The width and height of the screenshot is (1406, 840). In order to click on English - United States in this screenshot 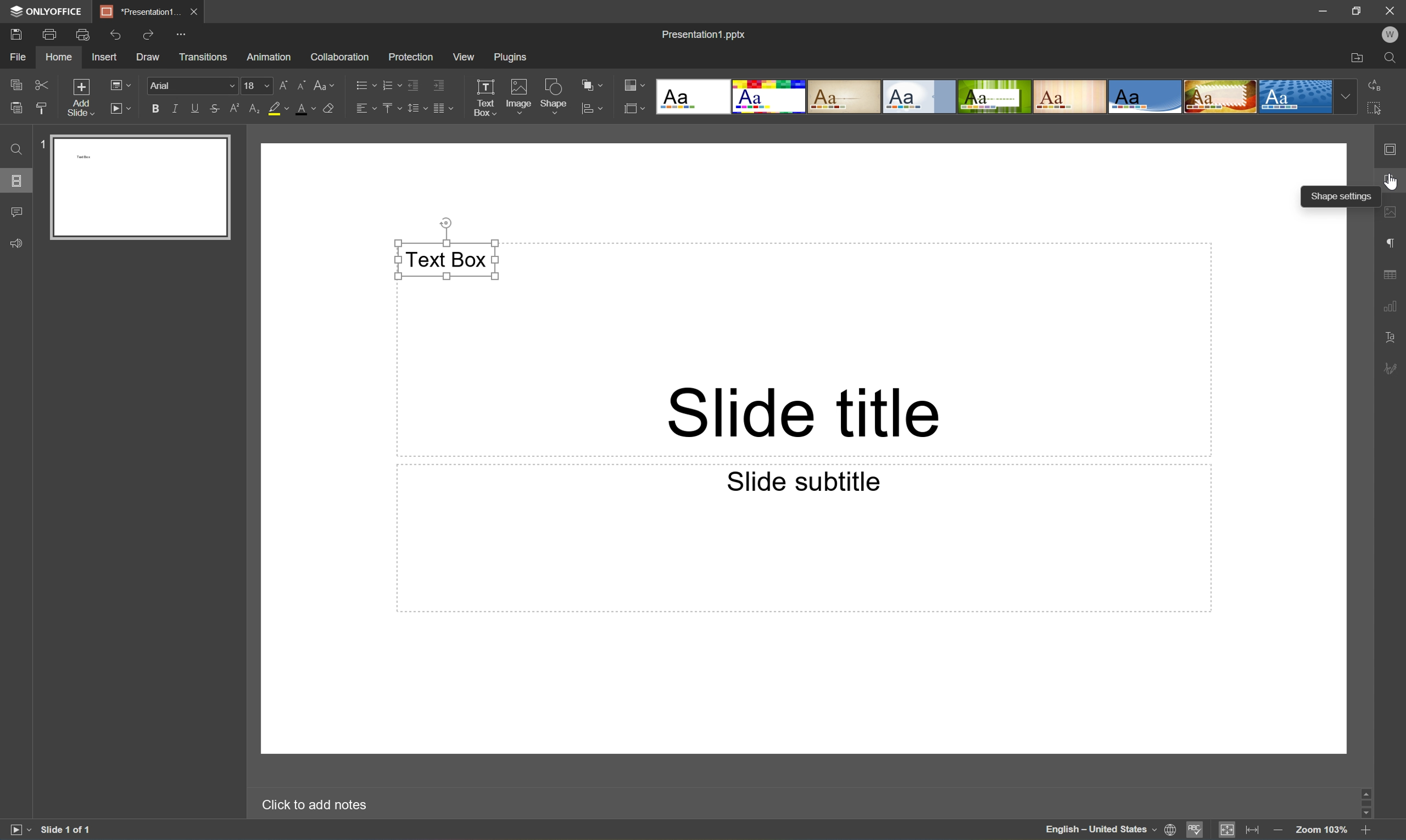, I will do `click(1097, 830)`.